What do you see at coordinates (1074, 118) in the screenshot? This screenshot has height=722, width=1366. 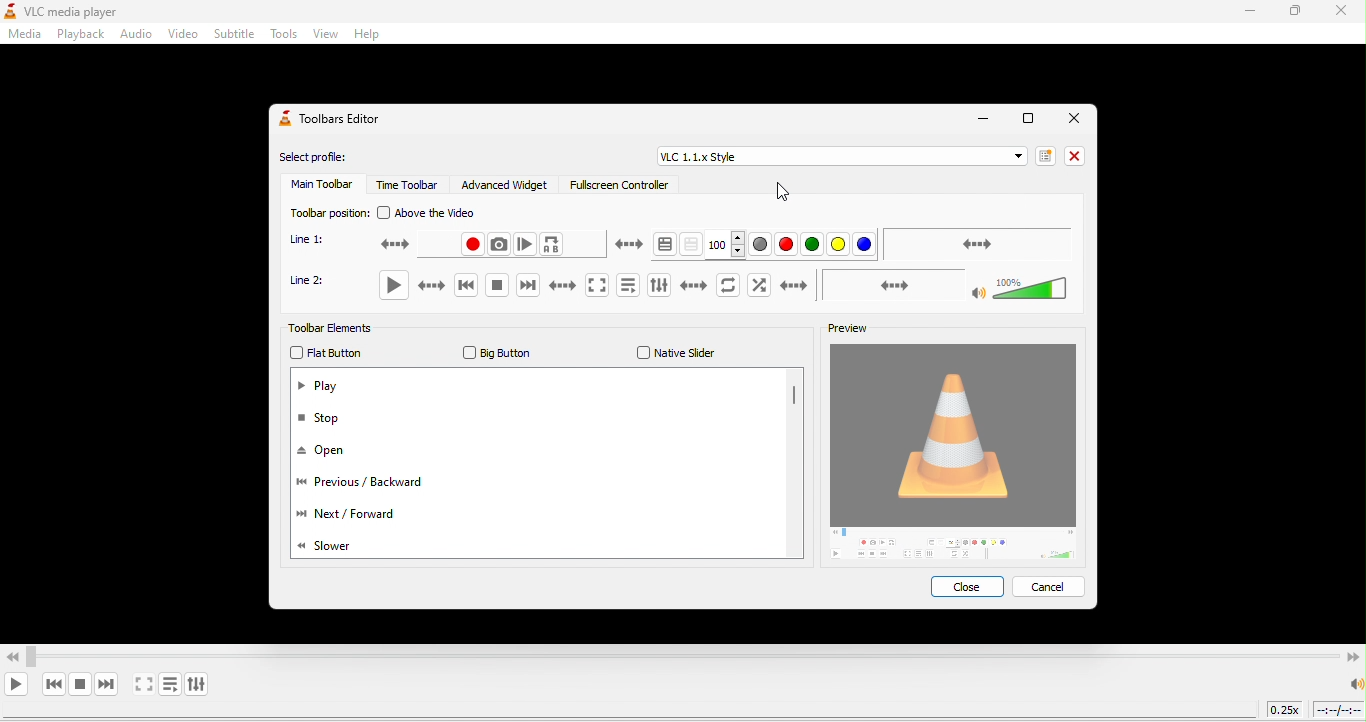 I see `Close` at bounding box center [1074, 118].